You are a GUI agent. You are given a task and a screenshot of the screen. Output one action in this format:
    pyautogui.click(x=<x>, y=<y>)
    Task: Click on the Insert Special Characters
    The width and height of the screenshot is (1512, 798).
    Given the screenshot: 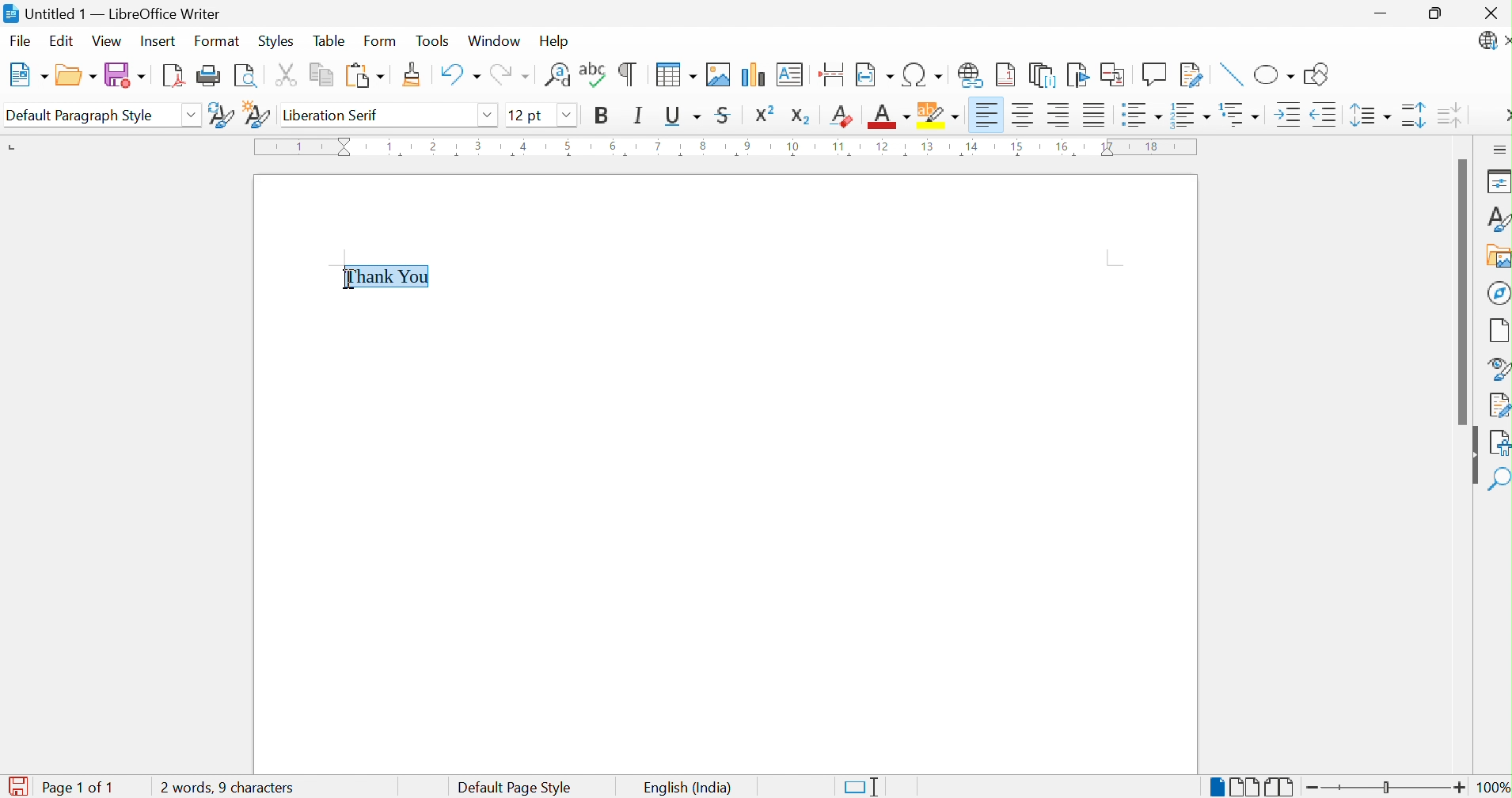 What is the action you would take?
    pyautogui.click(x=922, y=74)
    